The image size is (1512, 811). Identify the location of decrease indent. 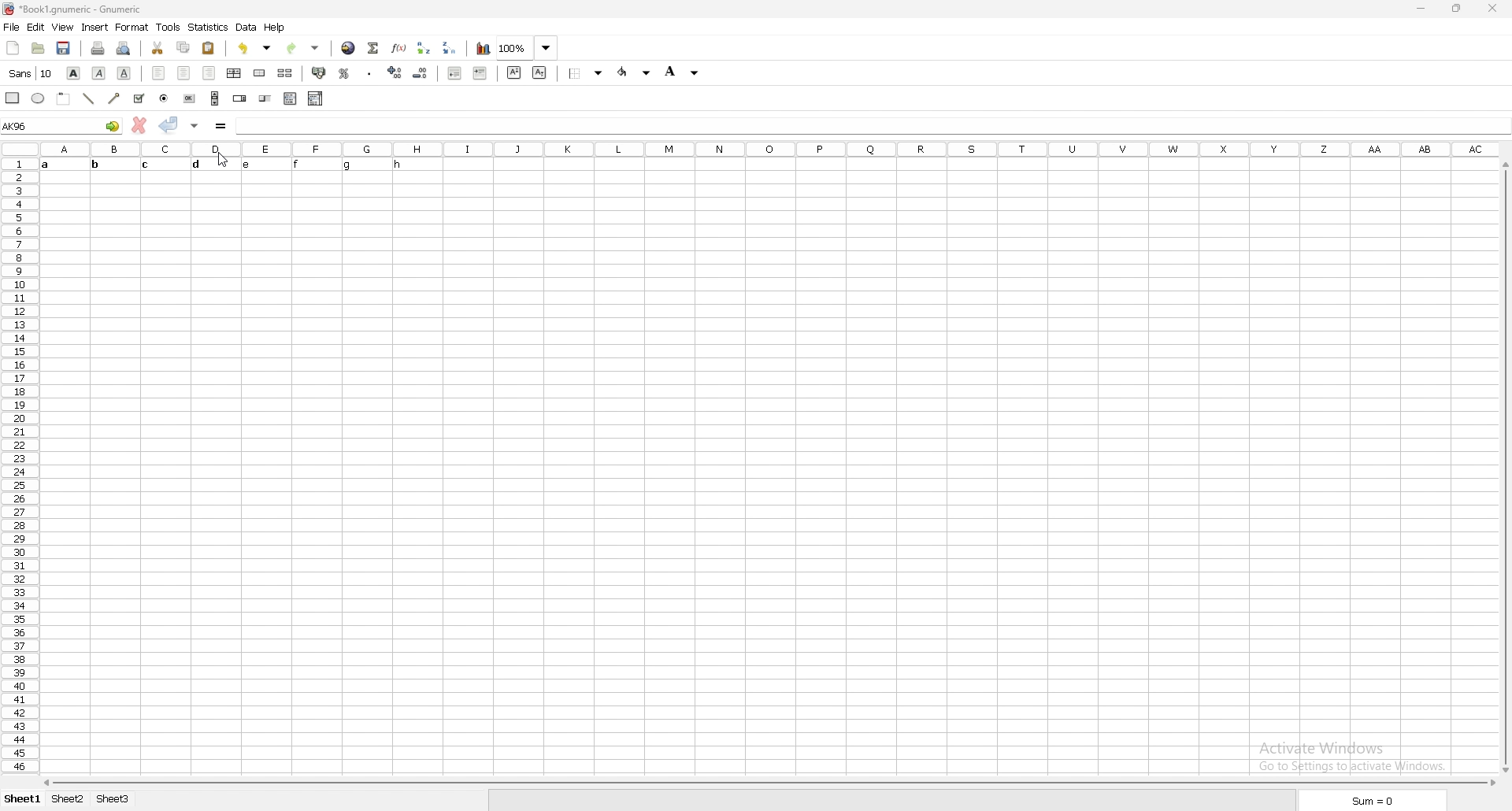
(455, 72).